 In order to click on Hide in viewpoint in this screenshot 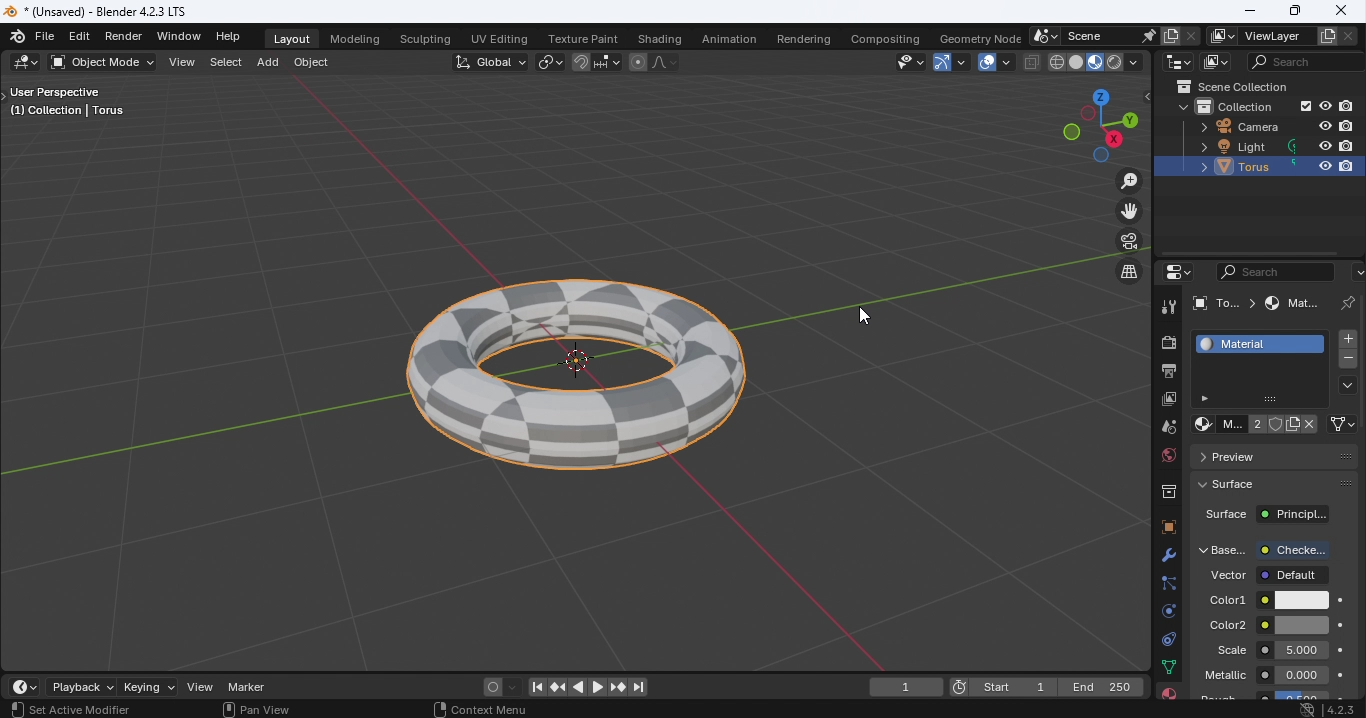, I will do `click(1324, 106)`.